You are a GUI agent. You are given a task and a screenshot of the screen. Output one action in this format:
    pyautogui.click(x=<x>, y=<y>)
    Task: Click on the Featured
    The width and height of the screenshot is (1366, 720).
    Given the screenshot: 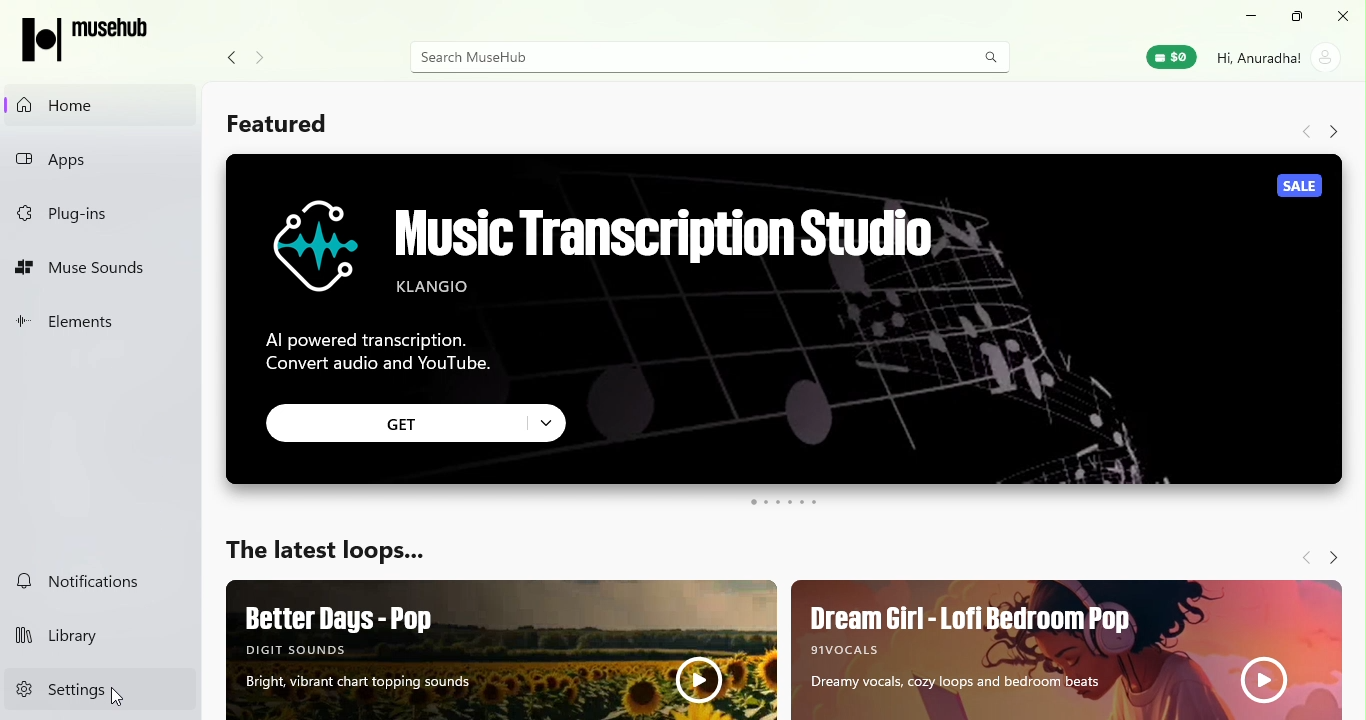 What is the action you would take?
    pyautogui.click(x=278, y=123)
    